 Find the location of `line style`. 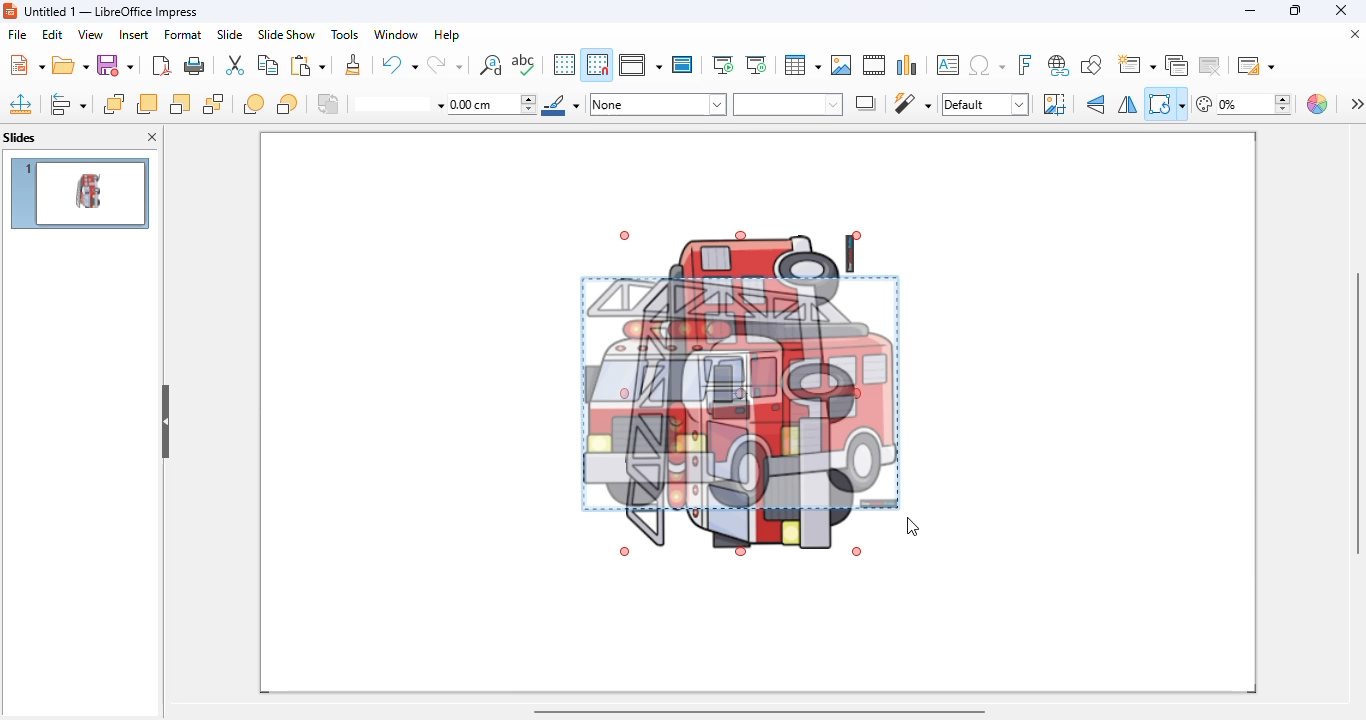

line style is located at coordinates (399, 105).